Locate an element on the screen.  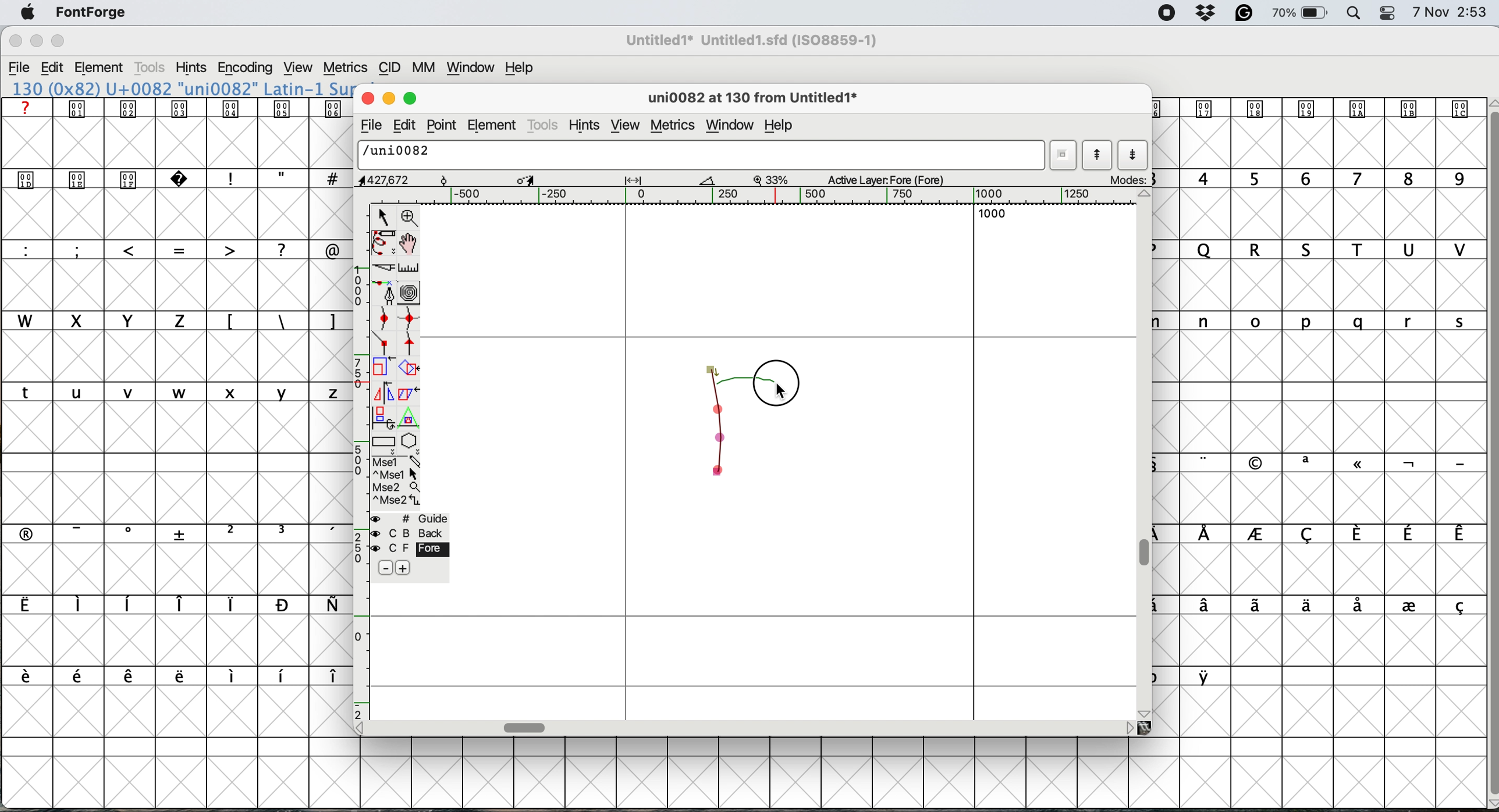
horizontal scale is located at coordinates (526, 725).